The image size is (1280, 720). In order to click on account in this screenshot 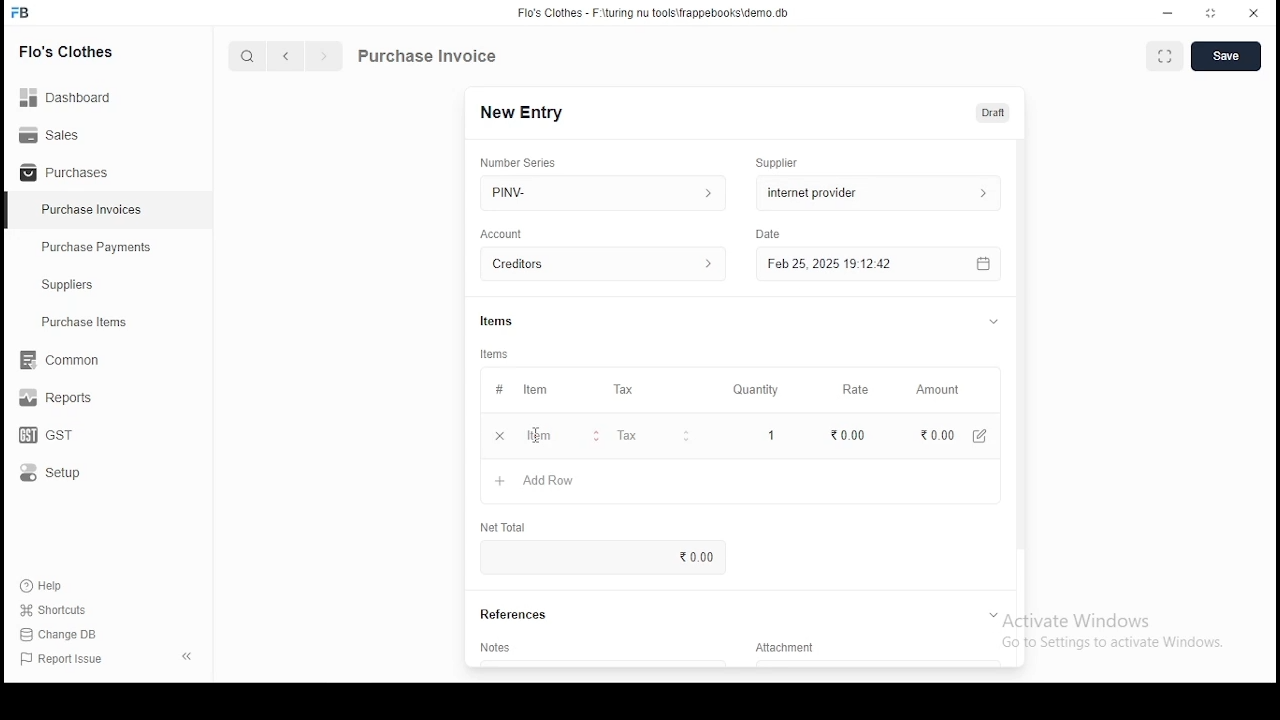, I will do `click(502, 234)`.